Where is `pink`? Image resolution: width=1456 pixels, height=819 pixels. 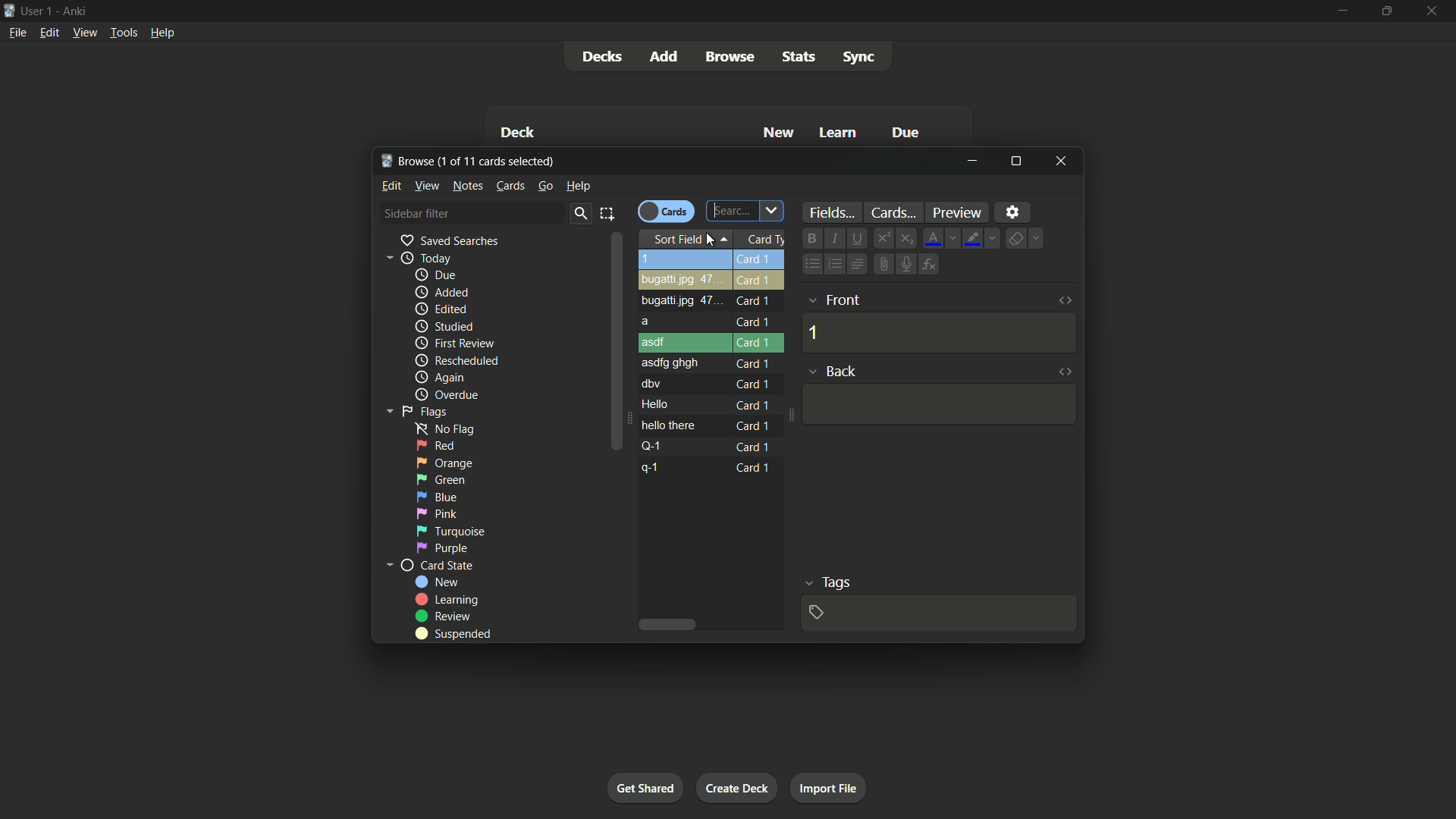 pink is located at coordinates (437, 514).